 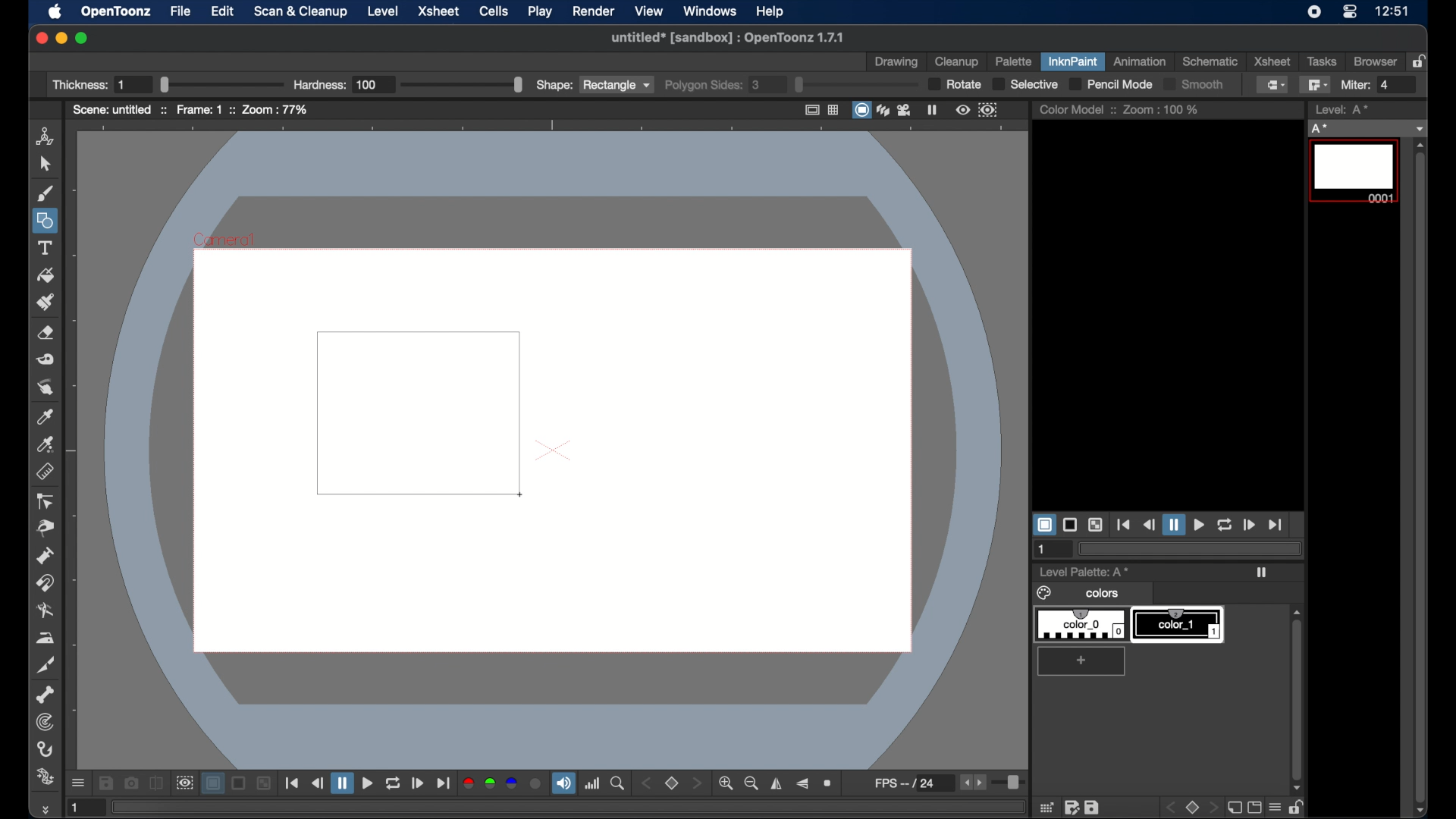 What do you see at coordinates (418, 783) in the screenshot?
I see `forward` at bounding box center [418, 783].